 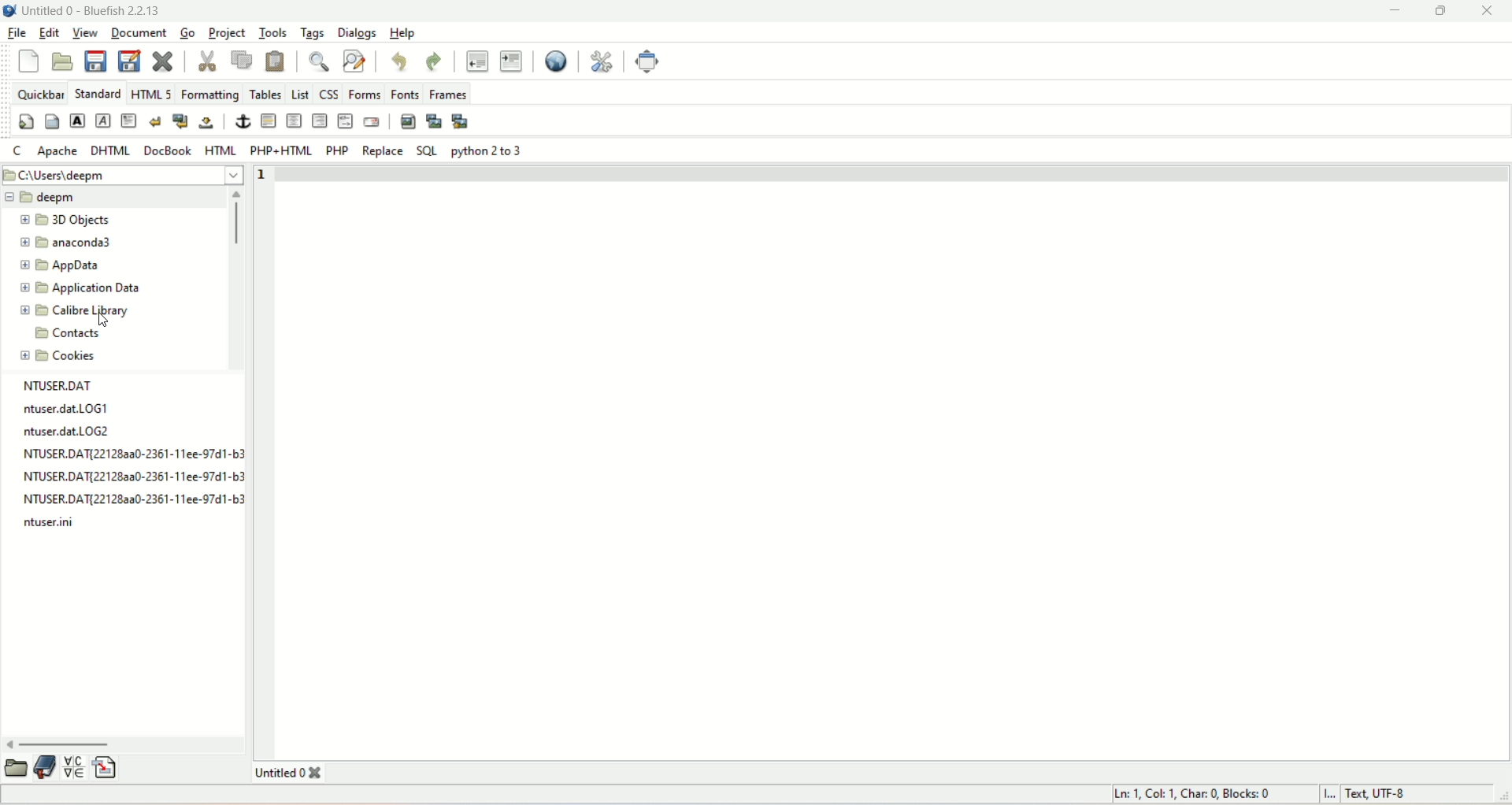 What do you see at coordinates (63, 335) in the screenshot?
I see `contacts` at bounding box center [63, 335].